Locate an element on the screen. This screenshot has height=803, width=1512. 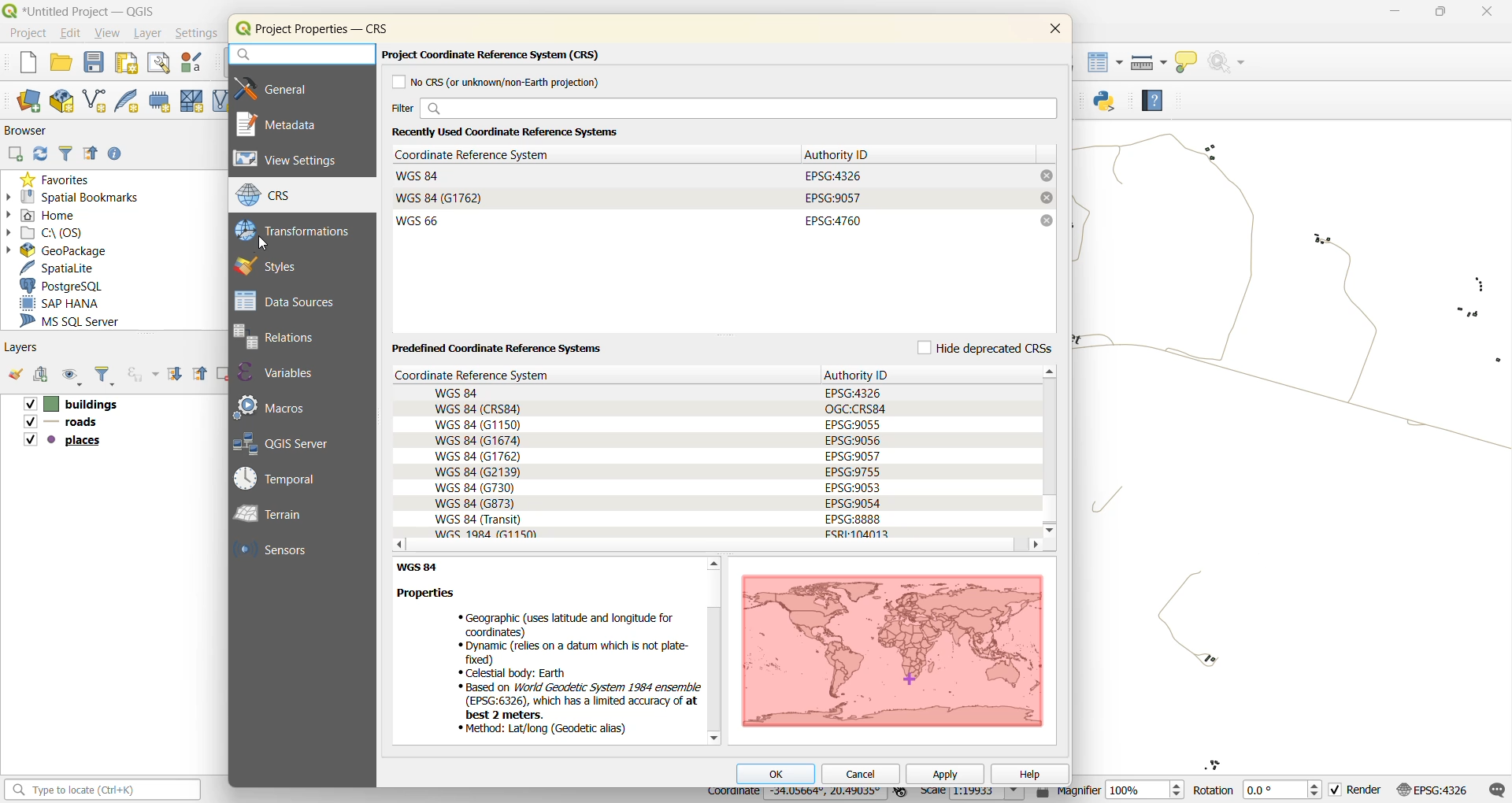
map is located at coordinates (891, 649).